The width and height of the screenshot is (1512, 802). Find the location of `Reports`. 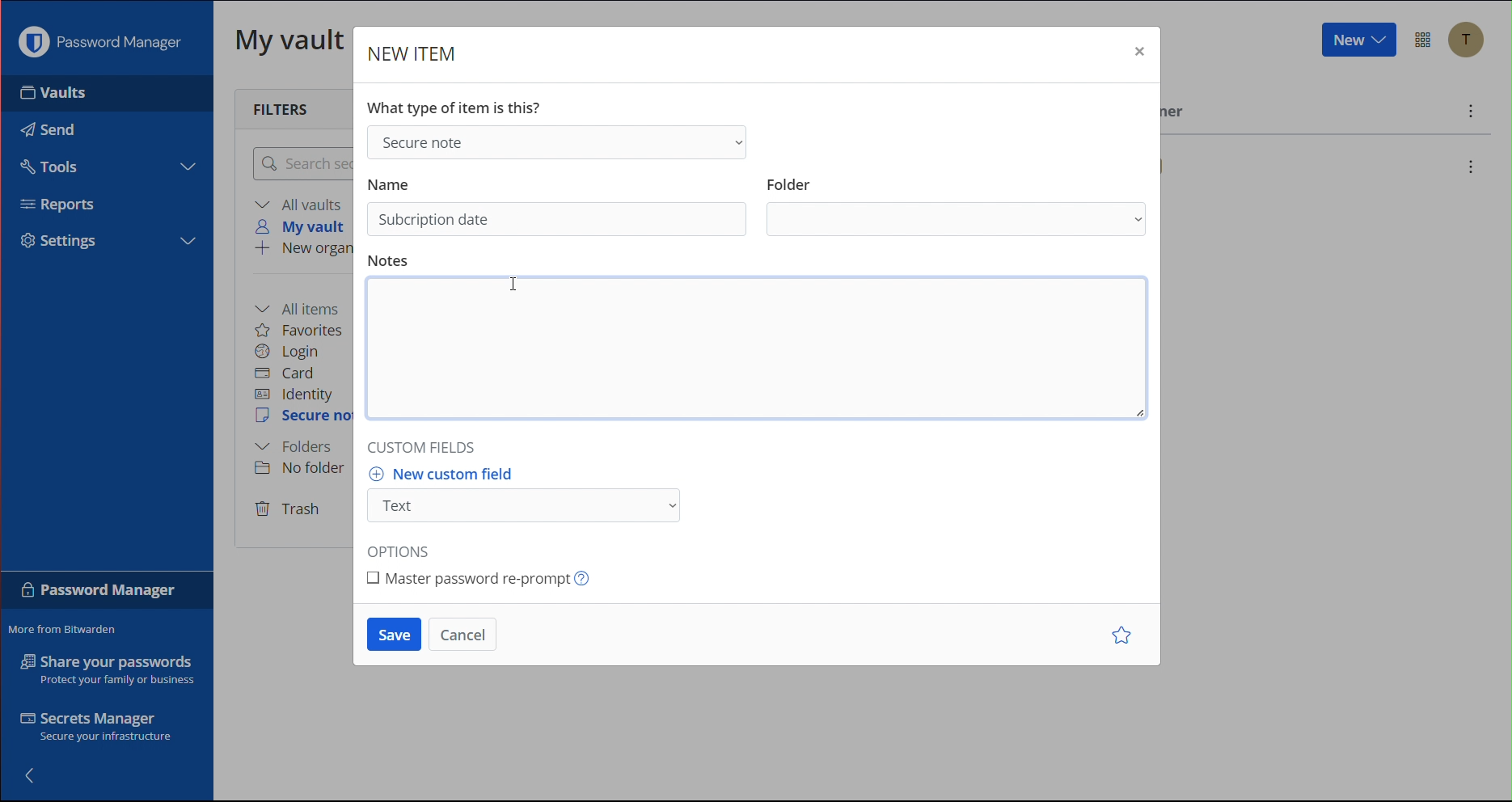

Reports is located at coordinates (65, 207).